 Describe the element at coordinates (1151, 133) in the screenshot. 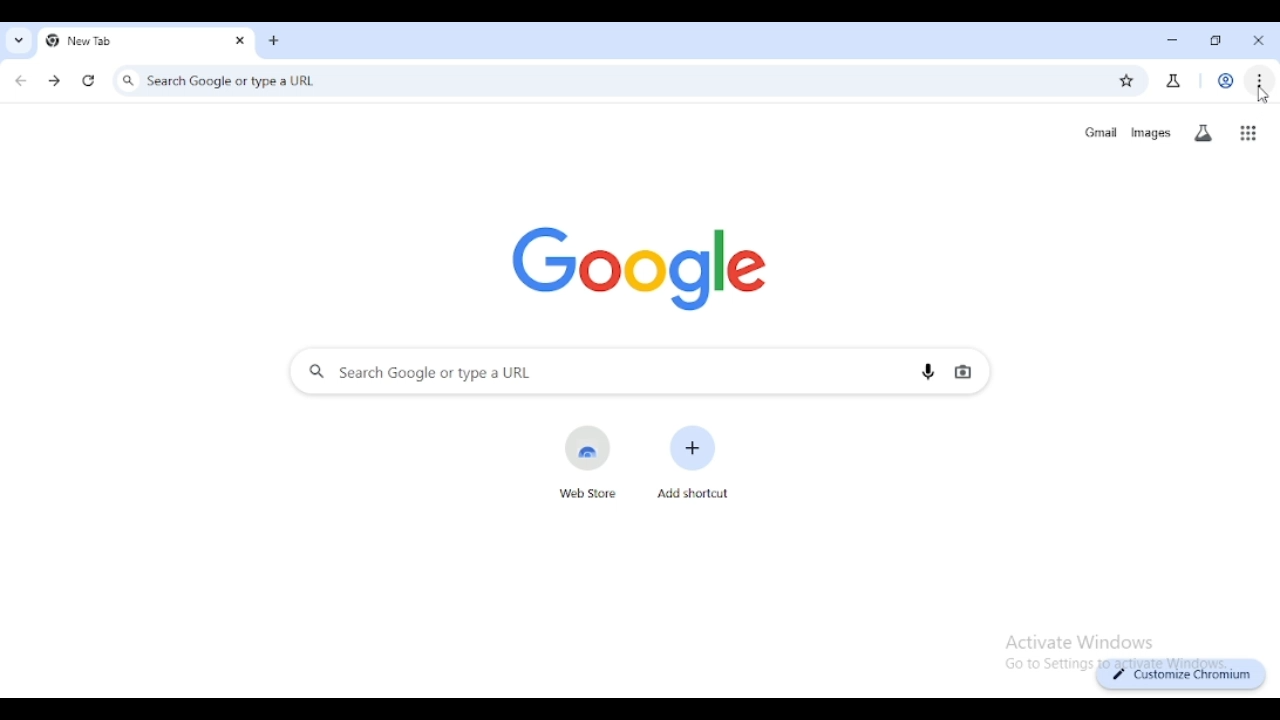

I see `images` at that location.